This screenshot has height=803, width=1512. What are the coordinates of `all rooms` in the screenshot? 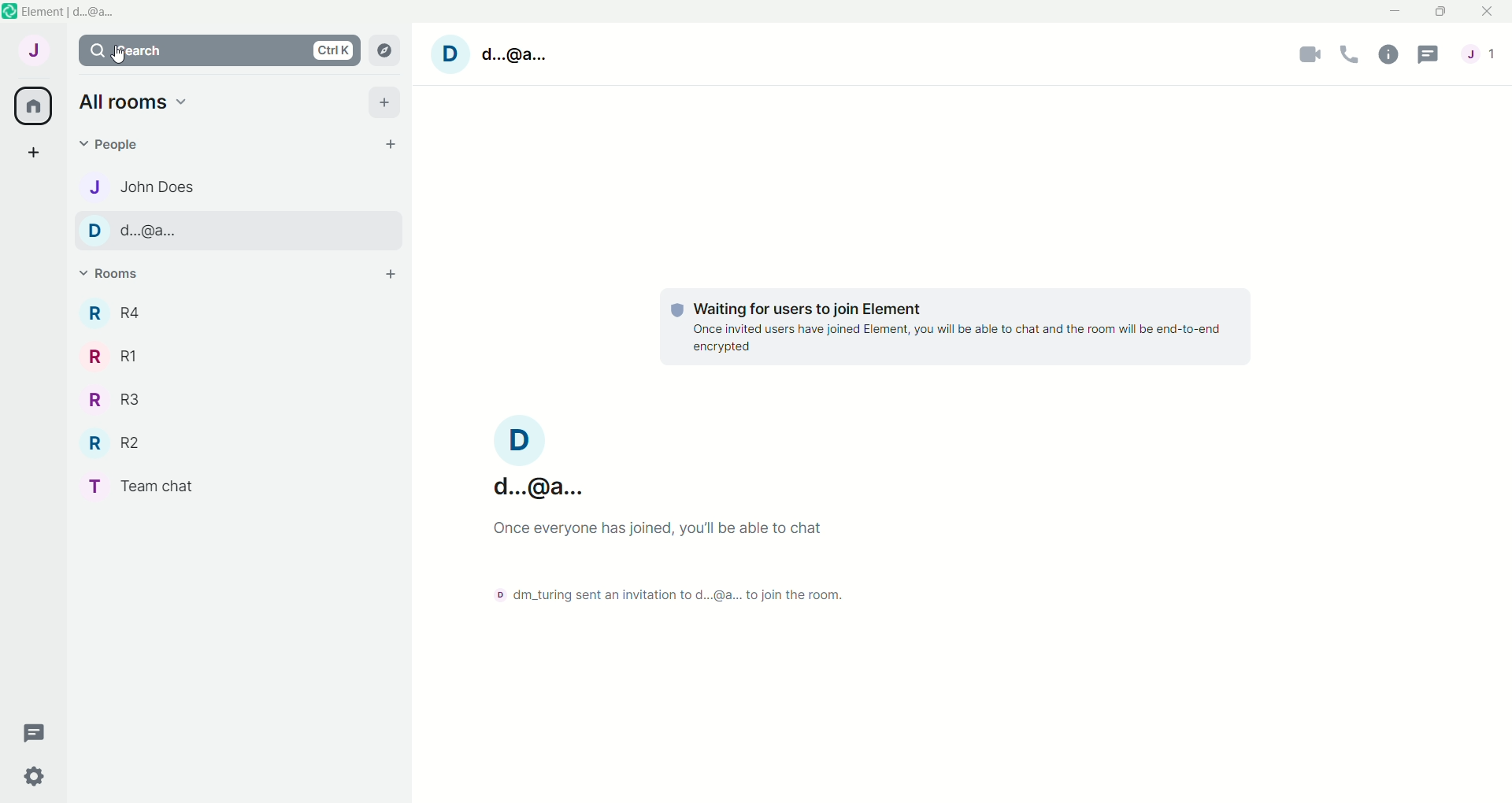 It's located at (134, 103).